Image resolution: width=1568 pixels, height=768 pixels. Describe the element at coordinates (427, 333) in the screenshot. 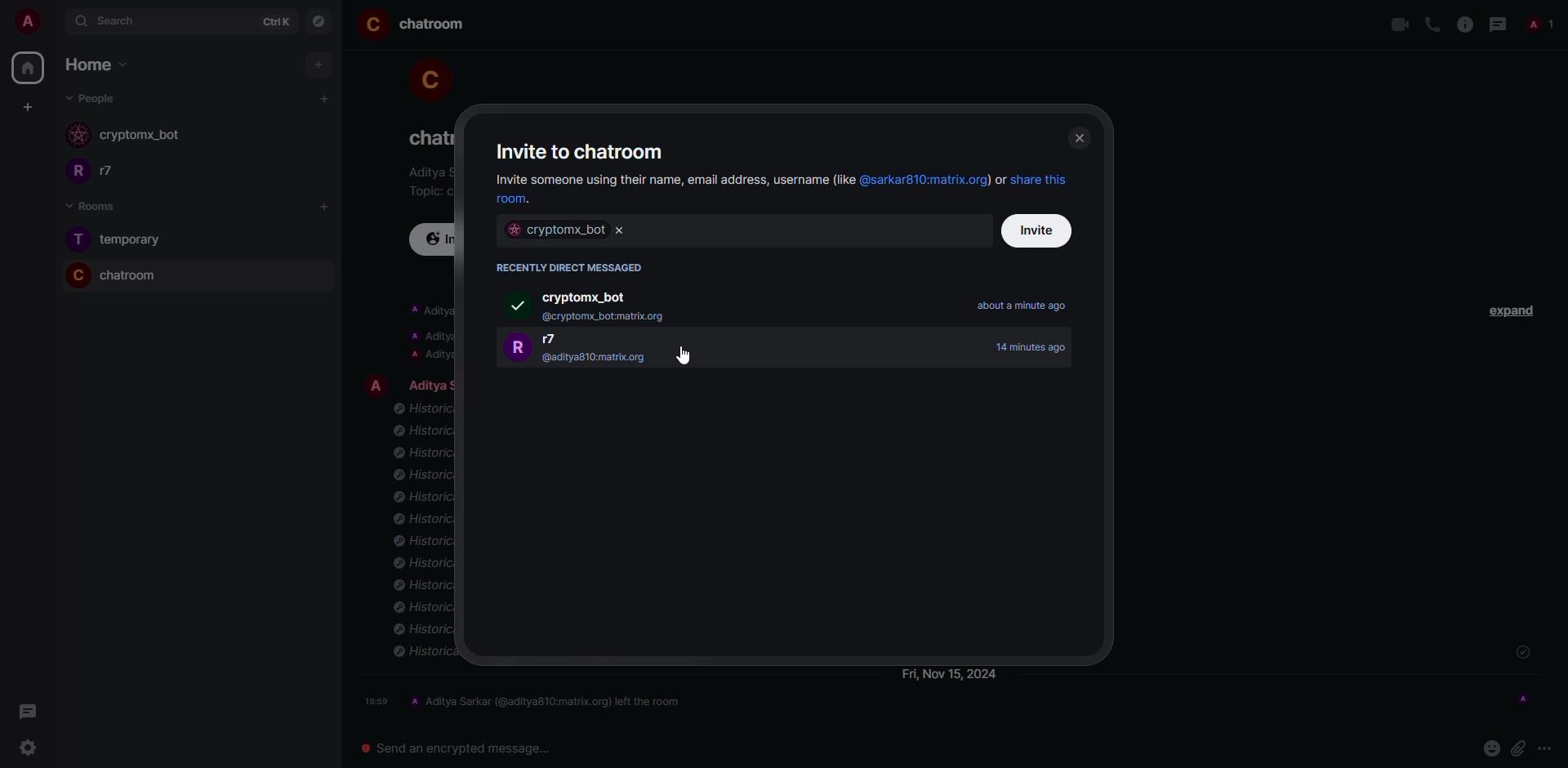

I see `info` at that location.